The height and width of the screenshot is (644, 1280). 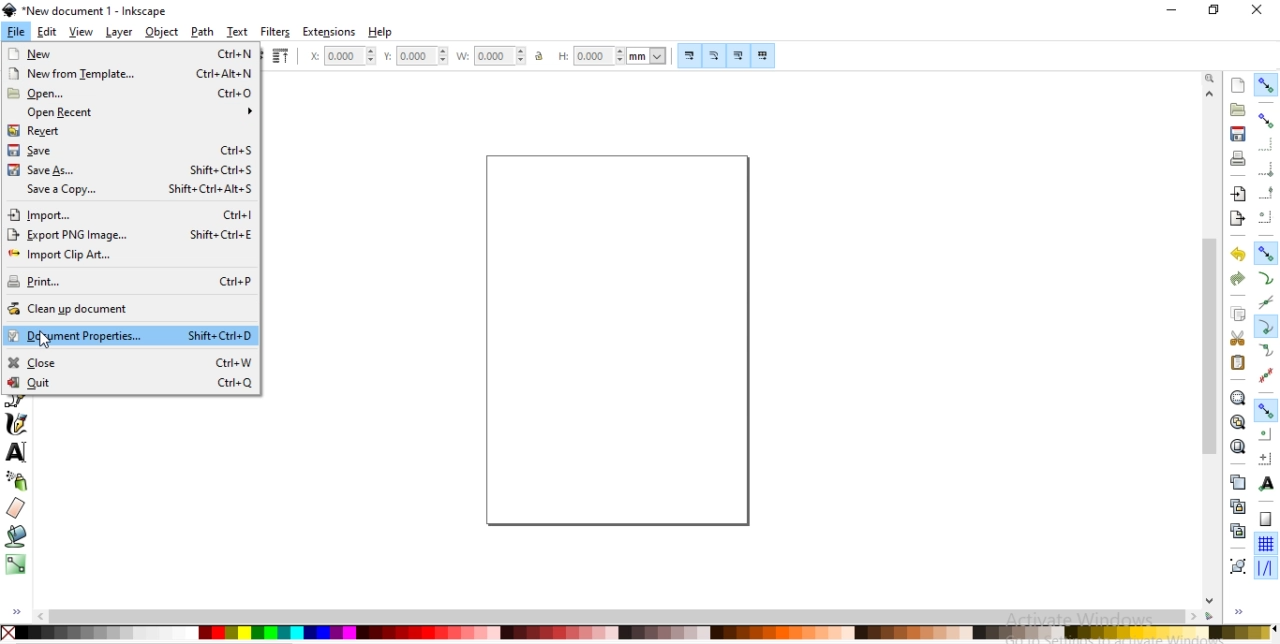 I want to click on scale stroke width by same proportion, so click(x=689, y=55).